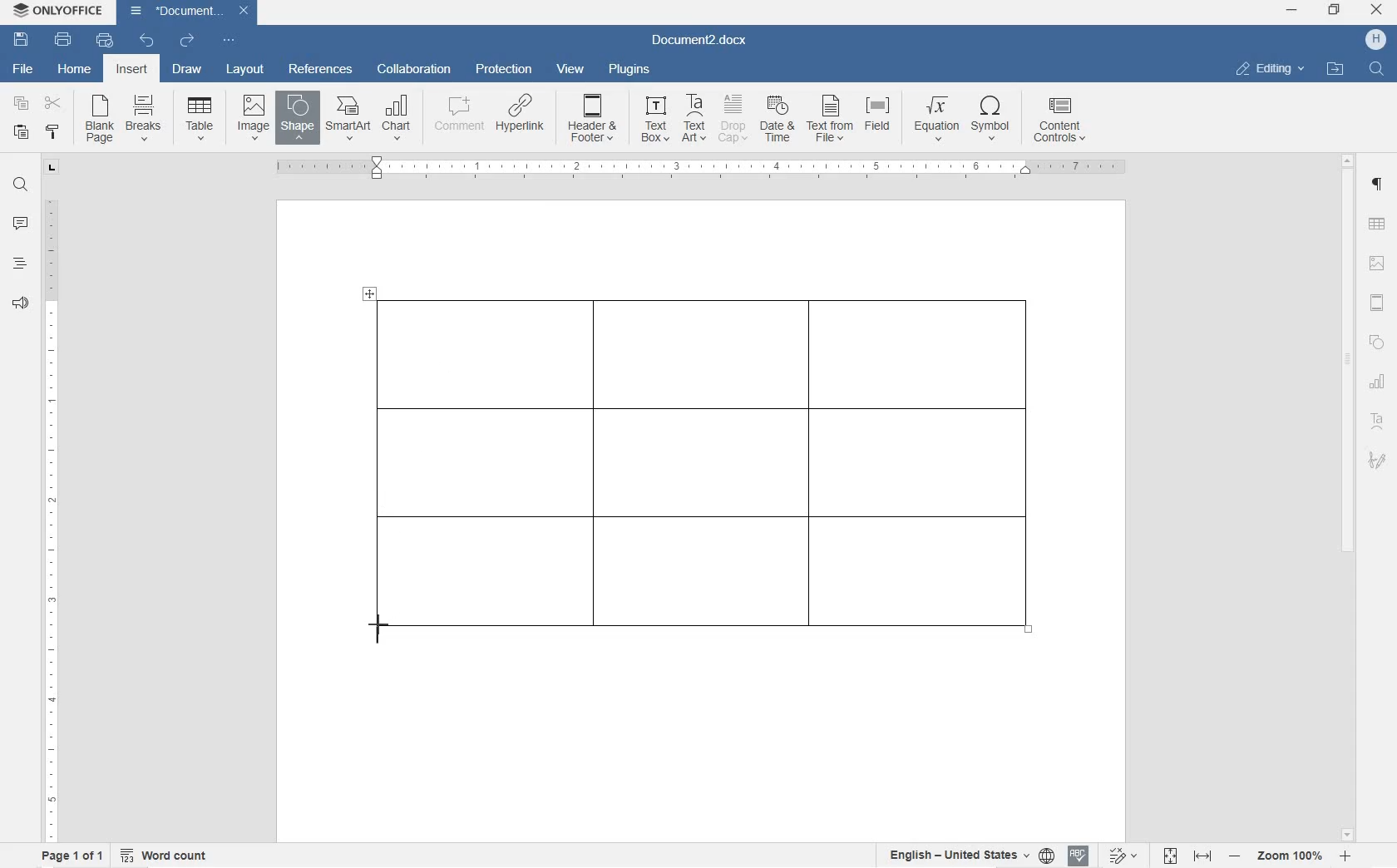 Image resolution: width=1397 pixels, height=868 pixels. What do you see at coordinates (992, 121) in the screenshot?
I see `SYMBOL` at bounding box center [992, 121].